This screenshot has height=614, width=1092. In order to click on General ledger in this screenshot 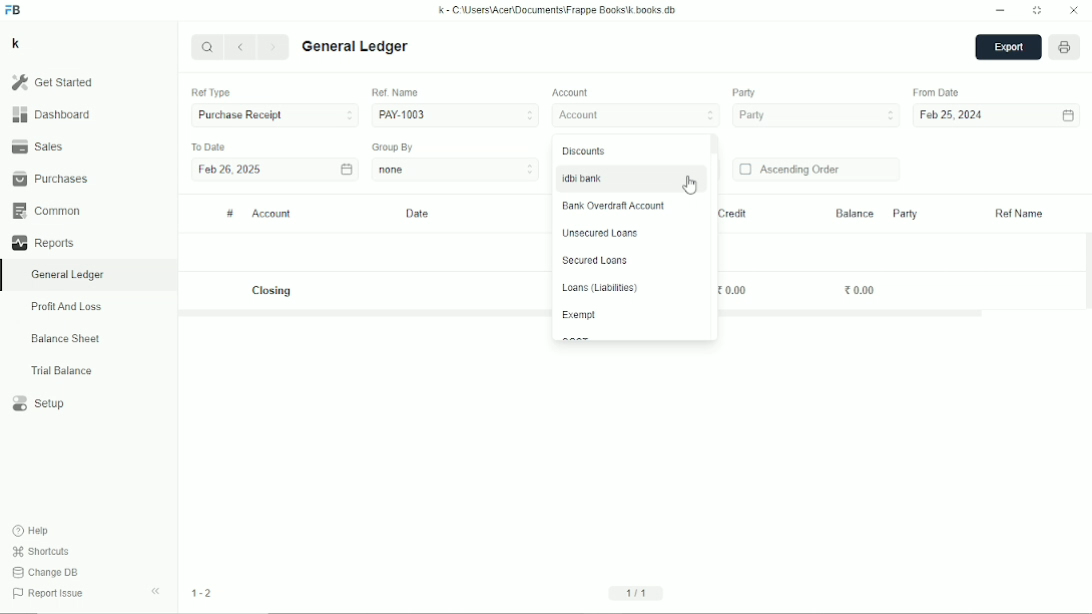, I will do `click(356, 47)`.